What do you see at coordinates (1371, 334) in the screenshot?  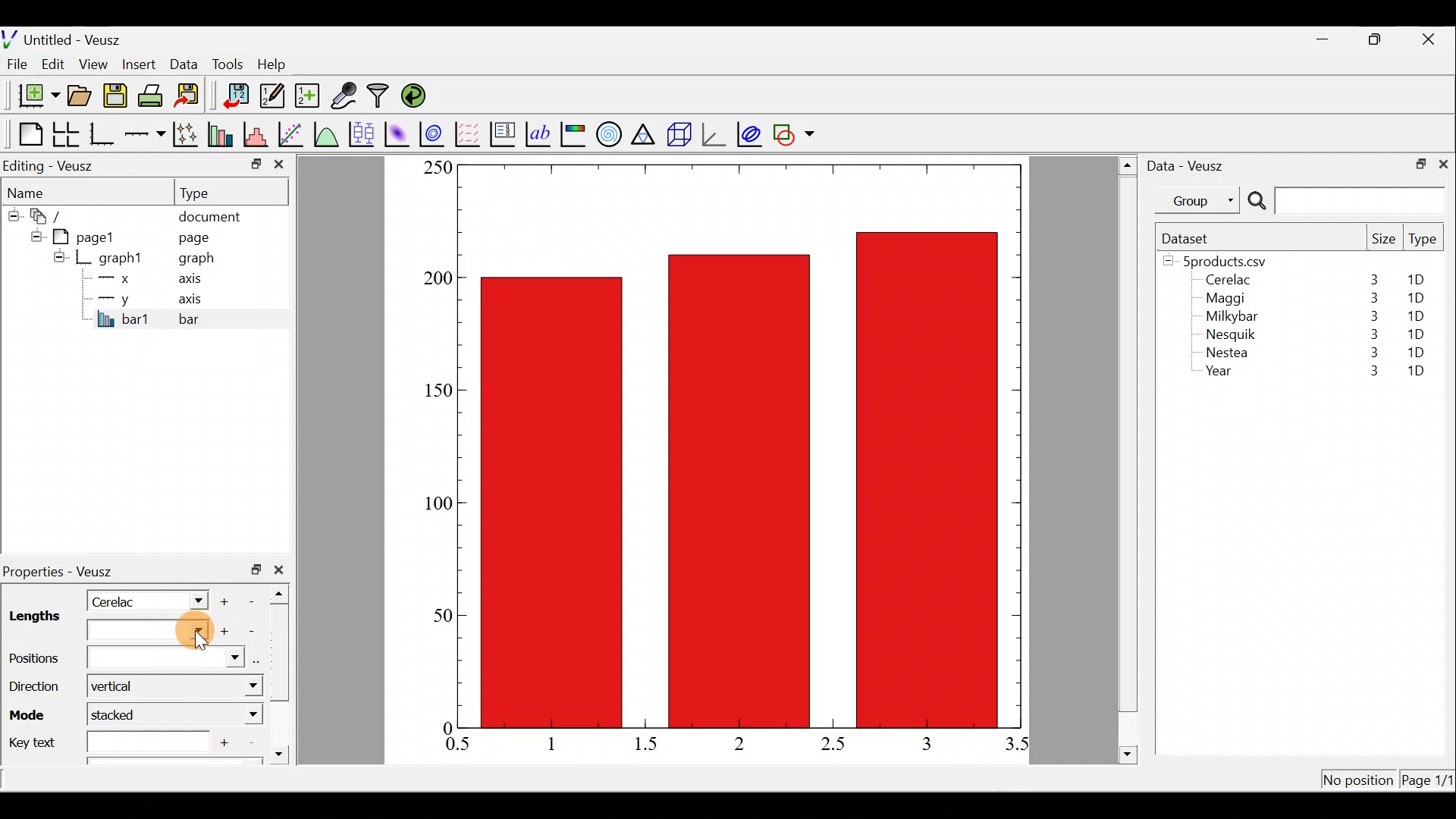 I see `3` at bounding box center [1371, 334].